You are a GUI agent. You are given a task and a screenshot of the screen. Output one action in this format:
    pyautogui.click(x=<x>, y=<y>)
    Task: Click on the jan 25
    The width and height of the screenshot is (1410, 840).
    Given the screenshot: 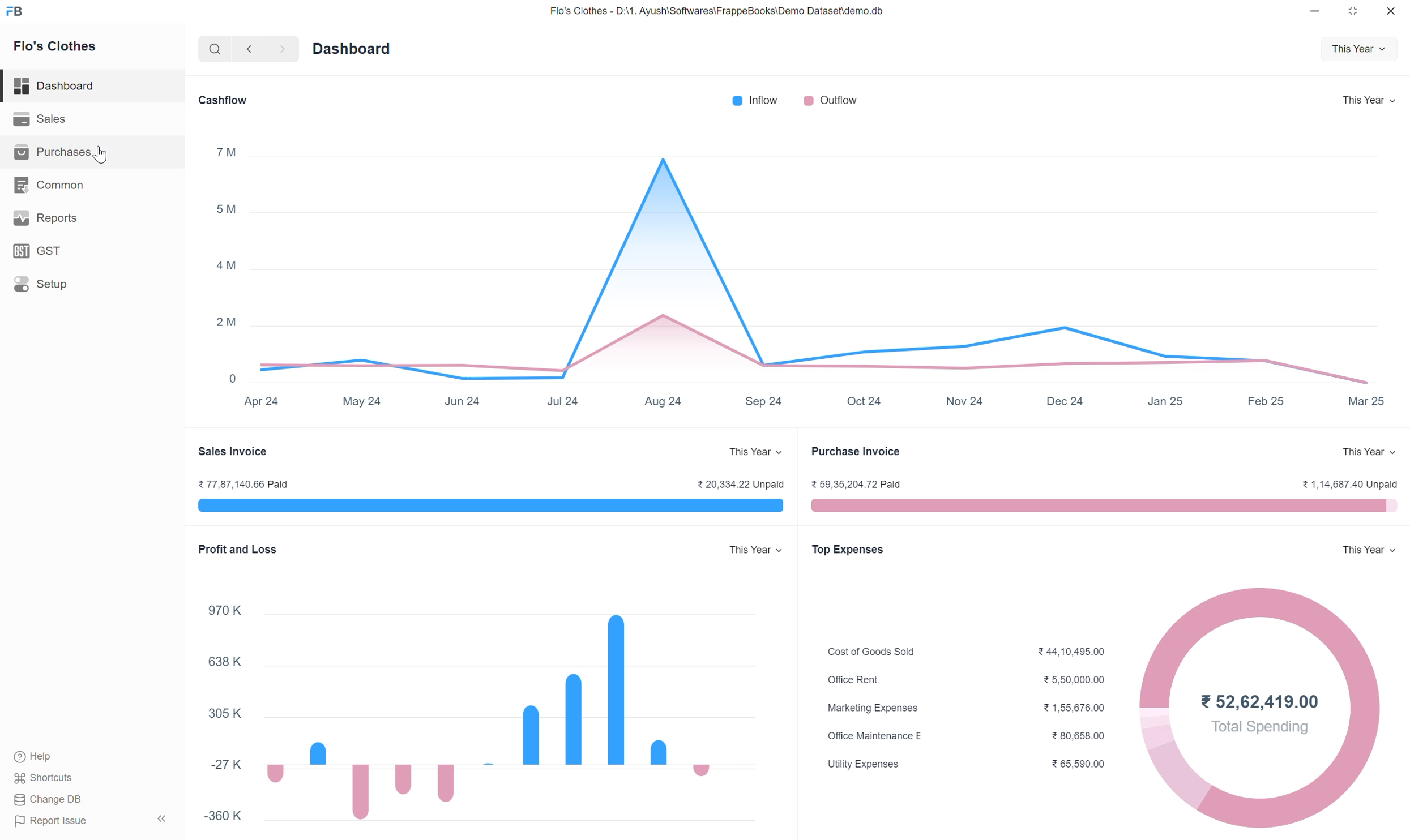 What is the action you would take?
    pyautogui.click(x=1166, y=400)
    